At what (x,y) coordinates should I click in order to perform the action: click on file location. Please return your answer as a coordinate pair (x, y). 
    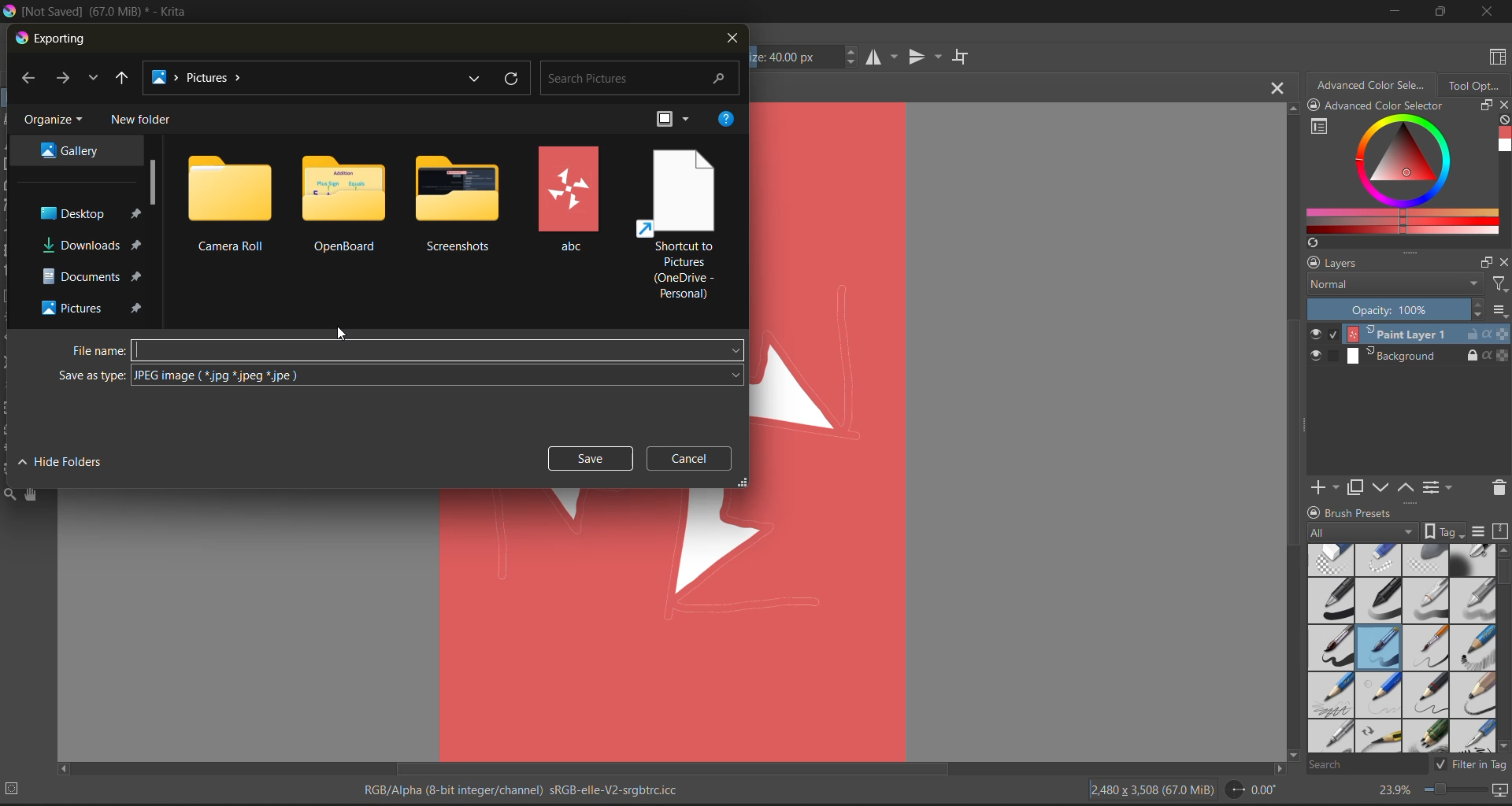
    Looking at the image, I should click on (303, 76).